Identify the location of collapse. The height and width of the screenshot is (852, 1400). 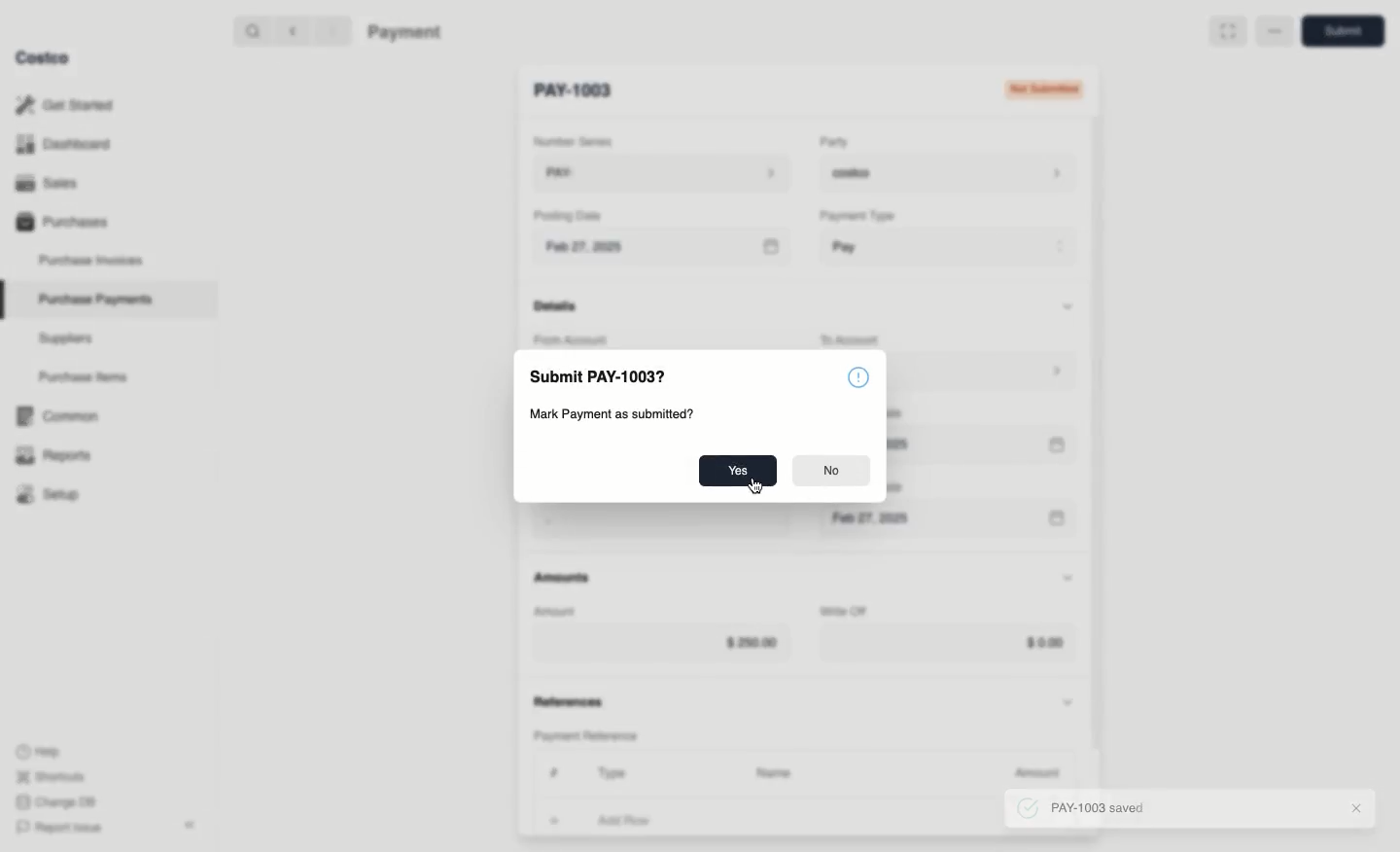
(189, 825).